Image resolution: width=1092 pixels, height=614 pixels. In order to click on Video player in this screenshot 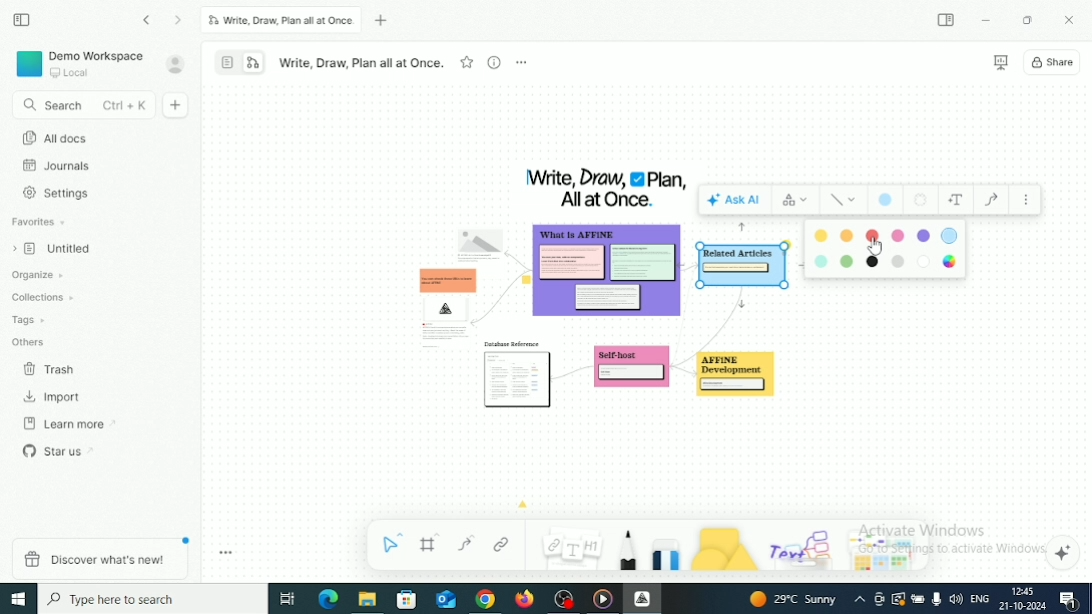, I will do `click(603, 599)`.